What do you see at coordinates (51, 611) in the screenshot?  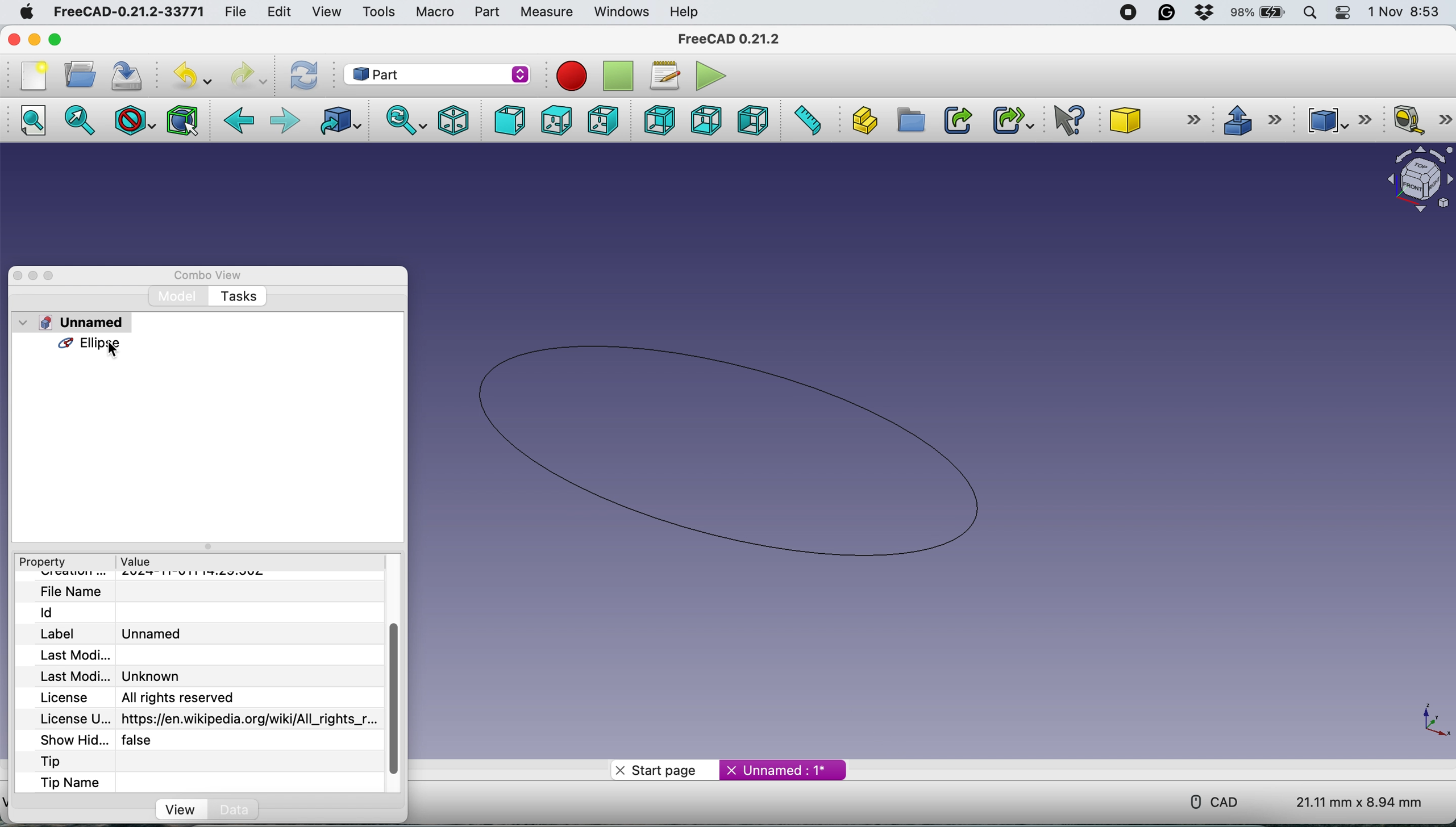 I see `id` at bounding box center [51, 611].